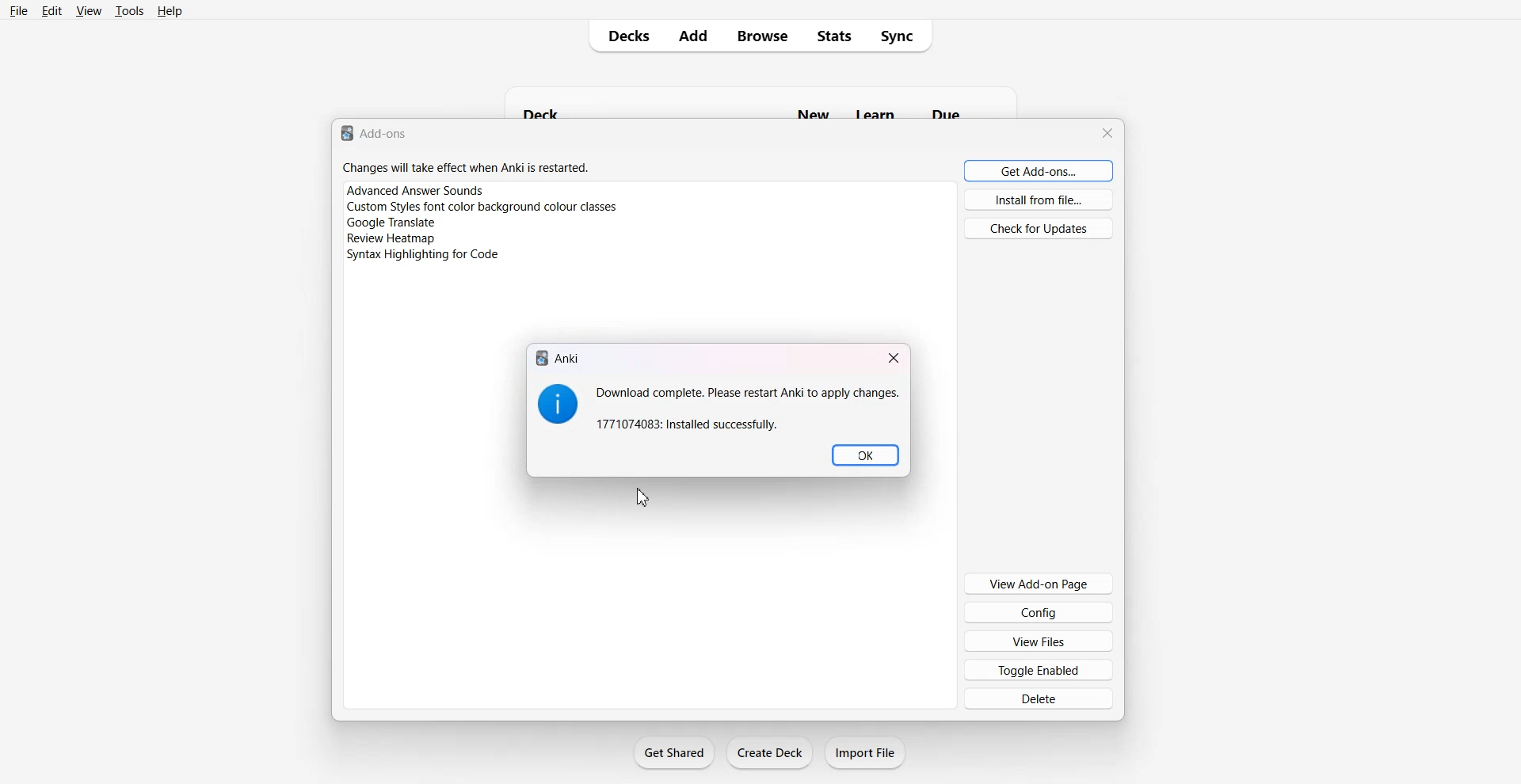 This screenshot has width=1521, height=784. What do you see at coordinates (674, 752) in the screenshot?
I see `Get Shared` at bounding box center [674, 752].